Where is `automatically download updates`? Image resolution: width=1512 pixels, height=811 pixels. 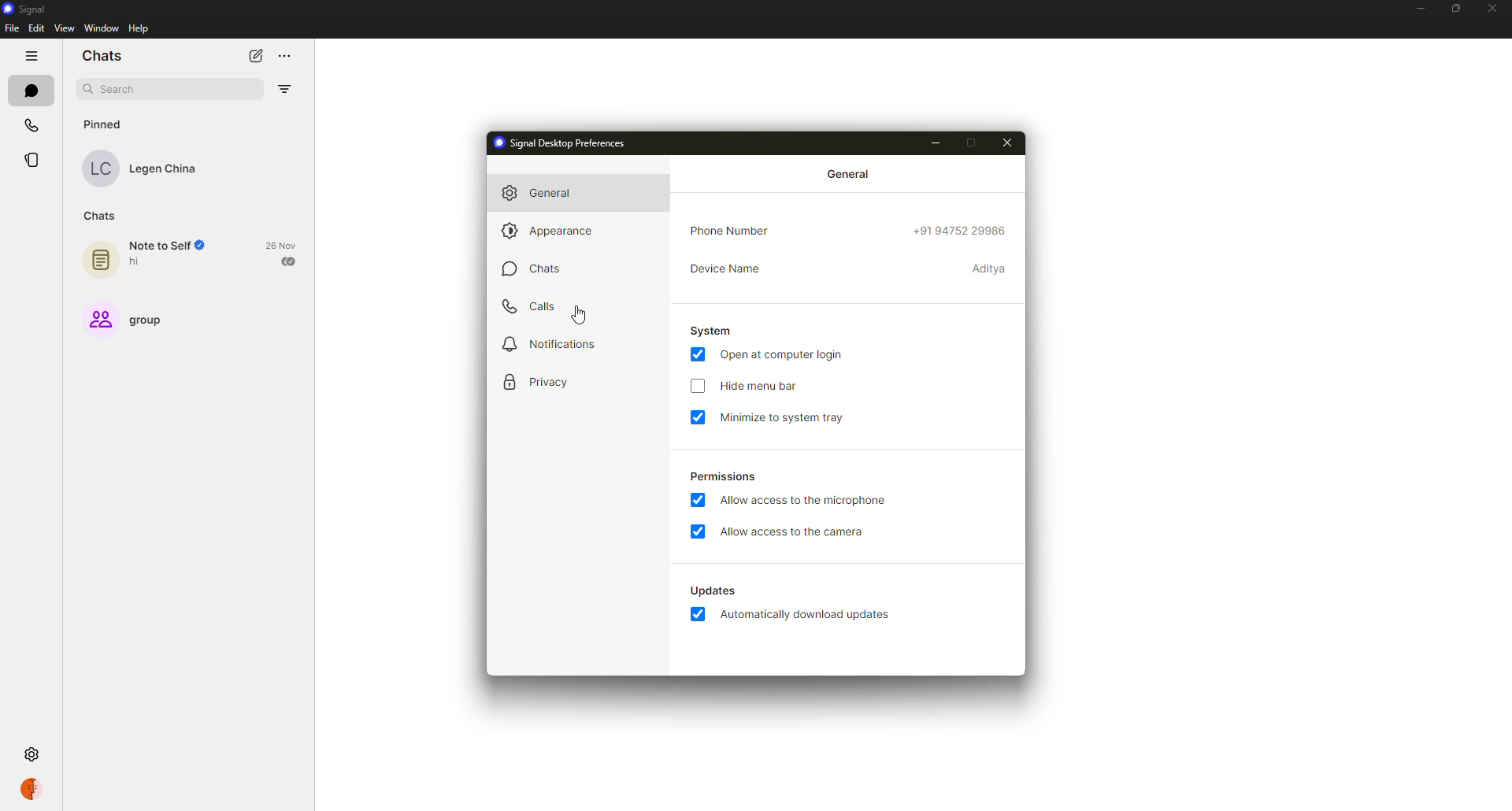 automatically download updates is located at coordinates (808, 617).